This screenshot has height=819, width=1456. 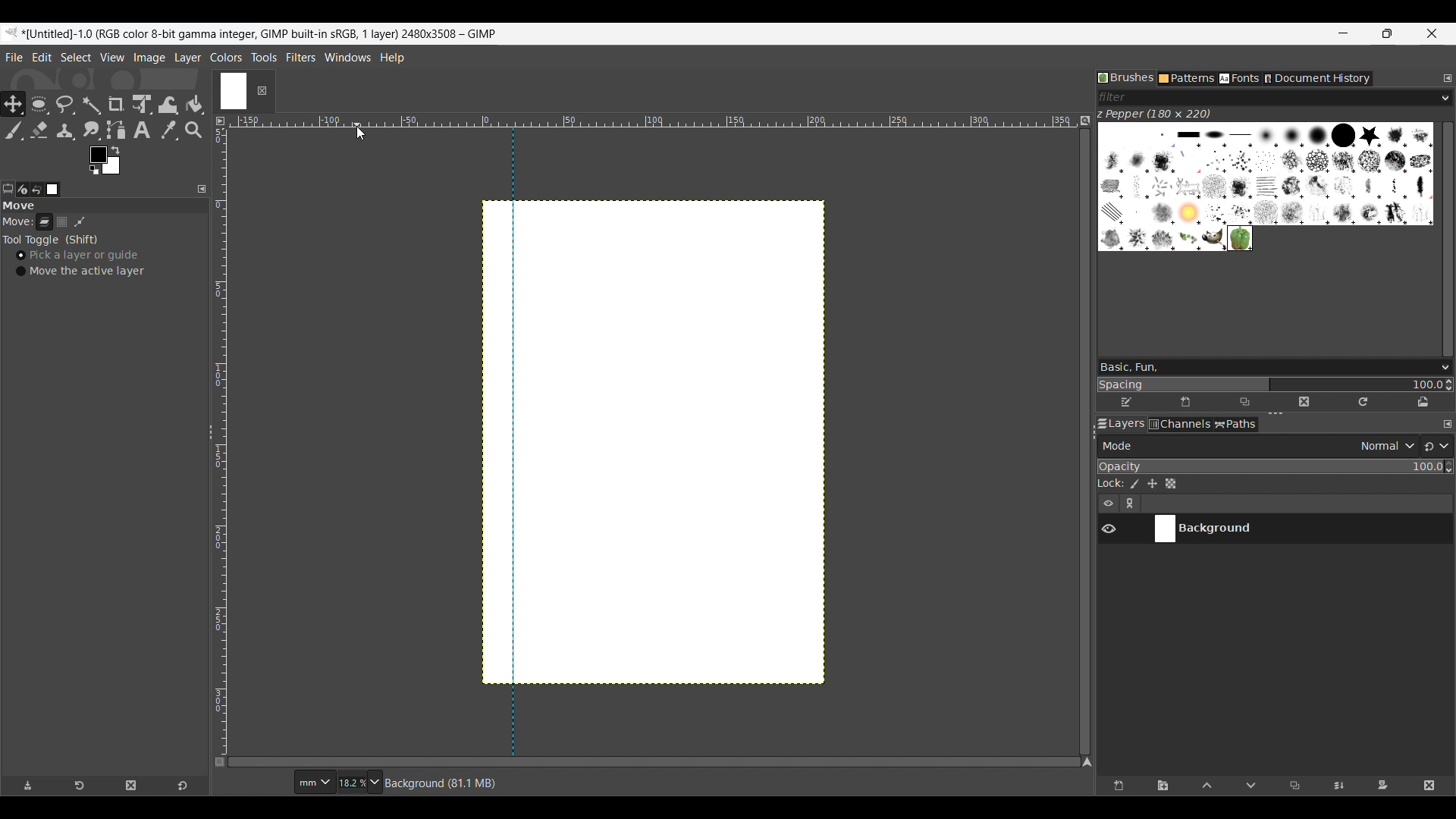 What do you see at coordinates (351, 783) in the screenshot?
I see `Current zoom factor` at bounding box center [351, 783].